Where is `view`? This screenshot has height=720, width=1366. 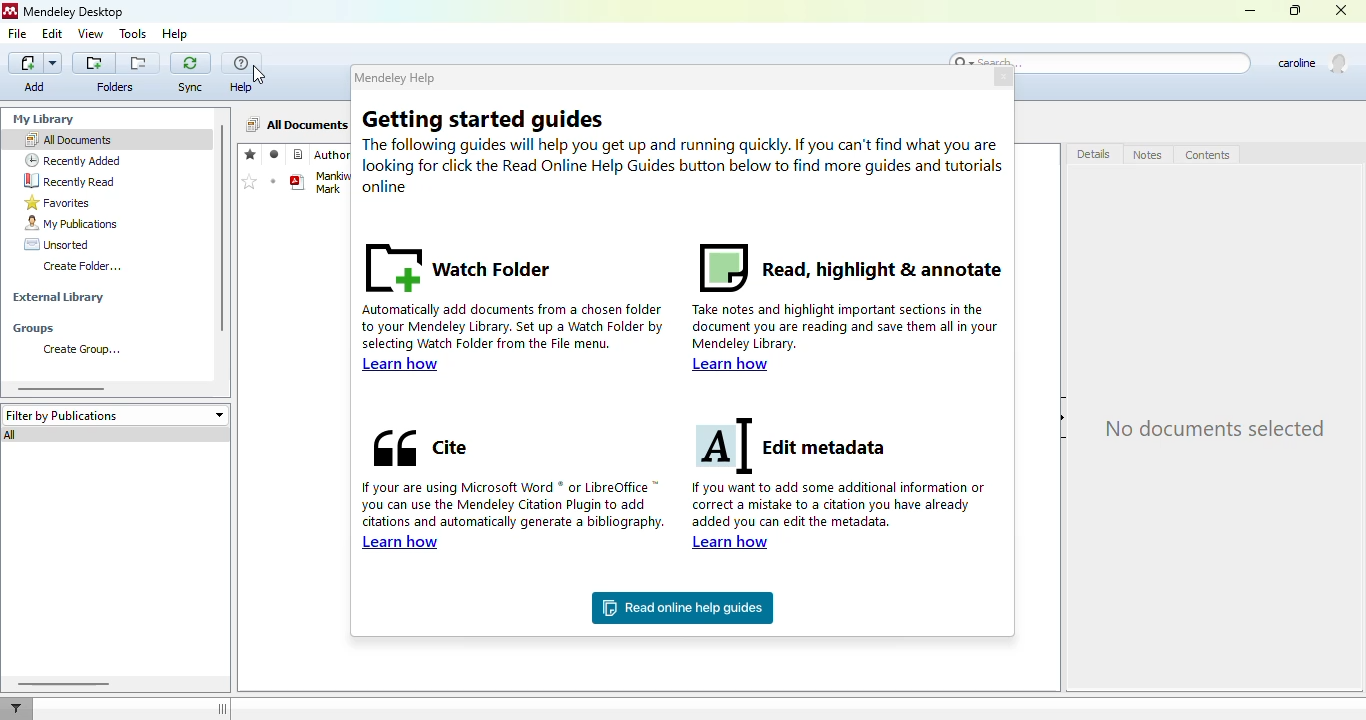
view is located at coordinates (91, 34).